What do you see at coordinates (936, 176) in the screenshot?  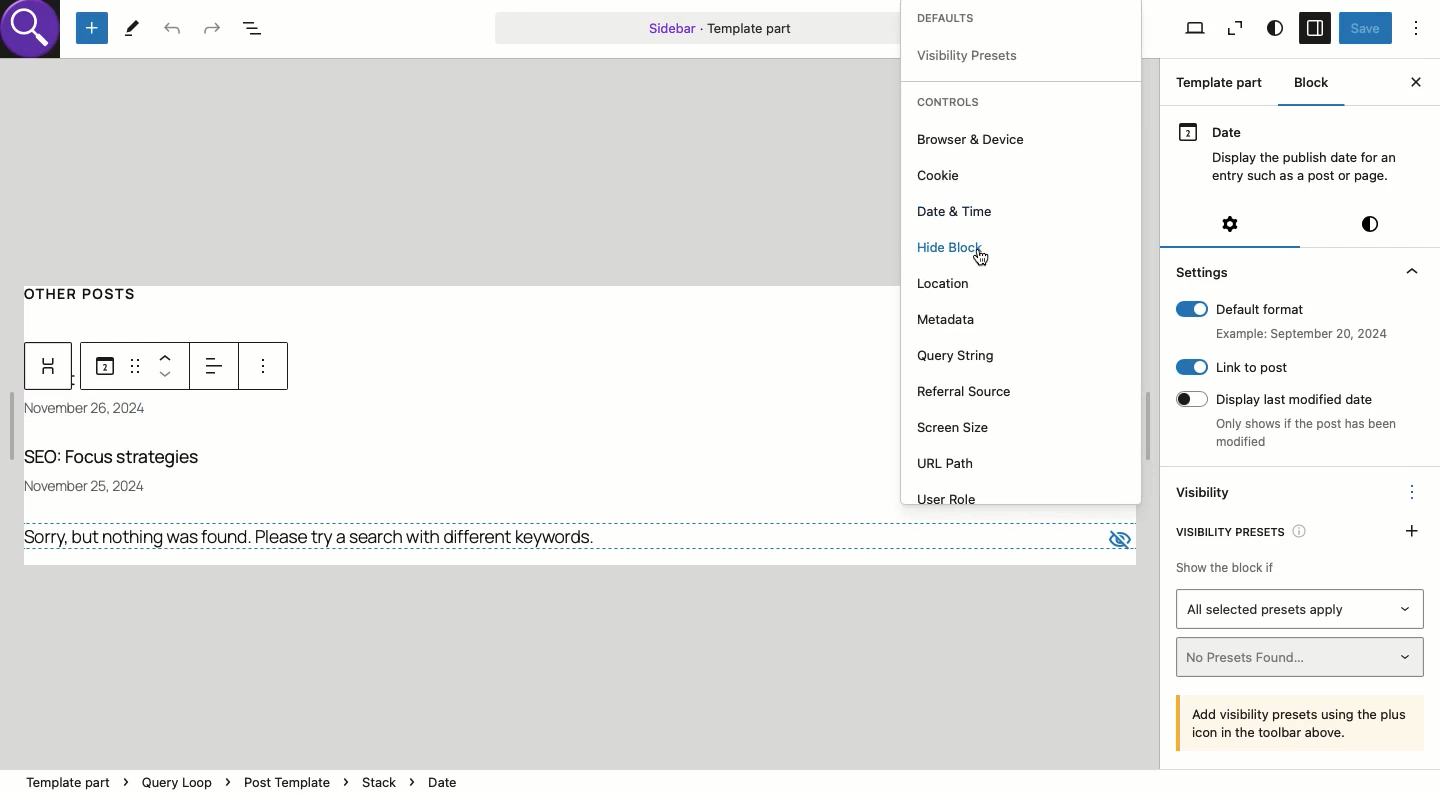 I see `Cookie` at bounding box center [936, 176].